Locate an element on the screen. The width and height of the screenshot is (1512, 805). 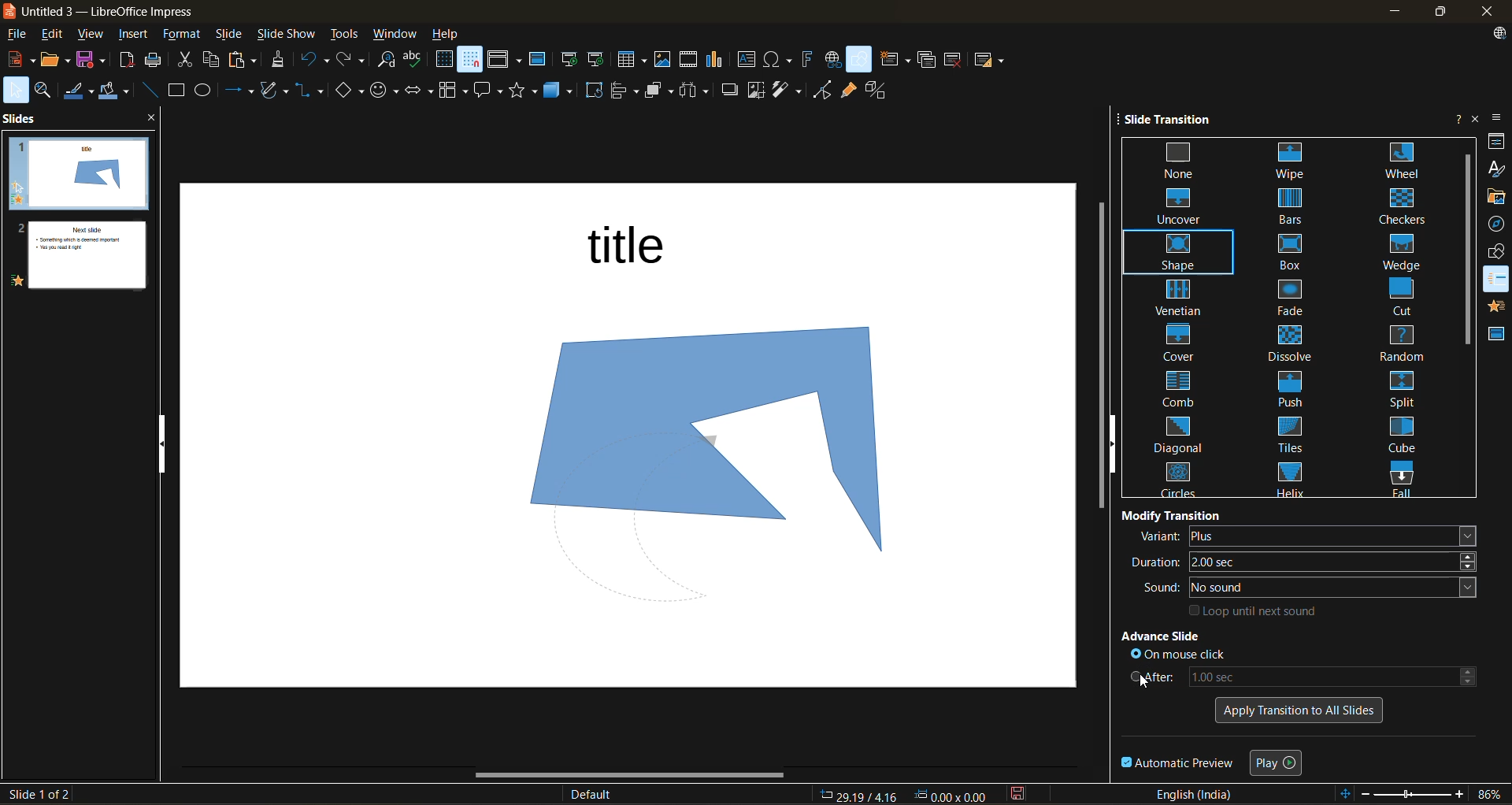
text language is located at coordinates (1199, 795).